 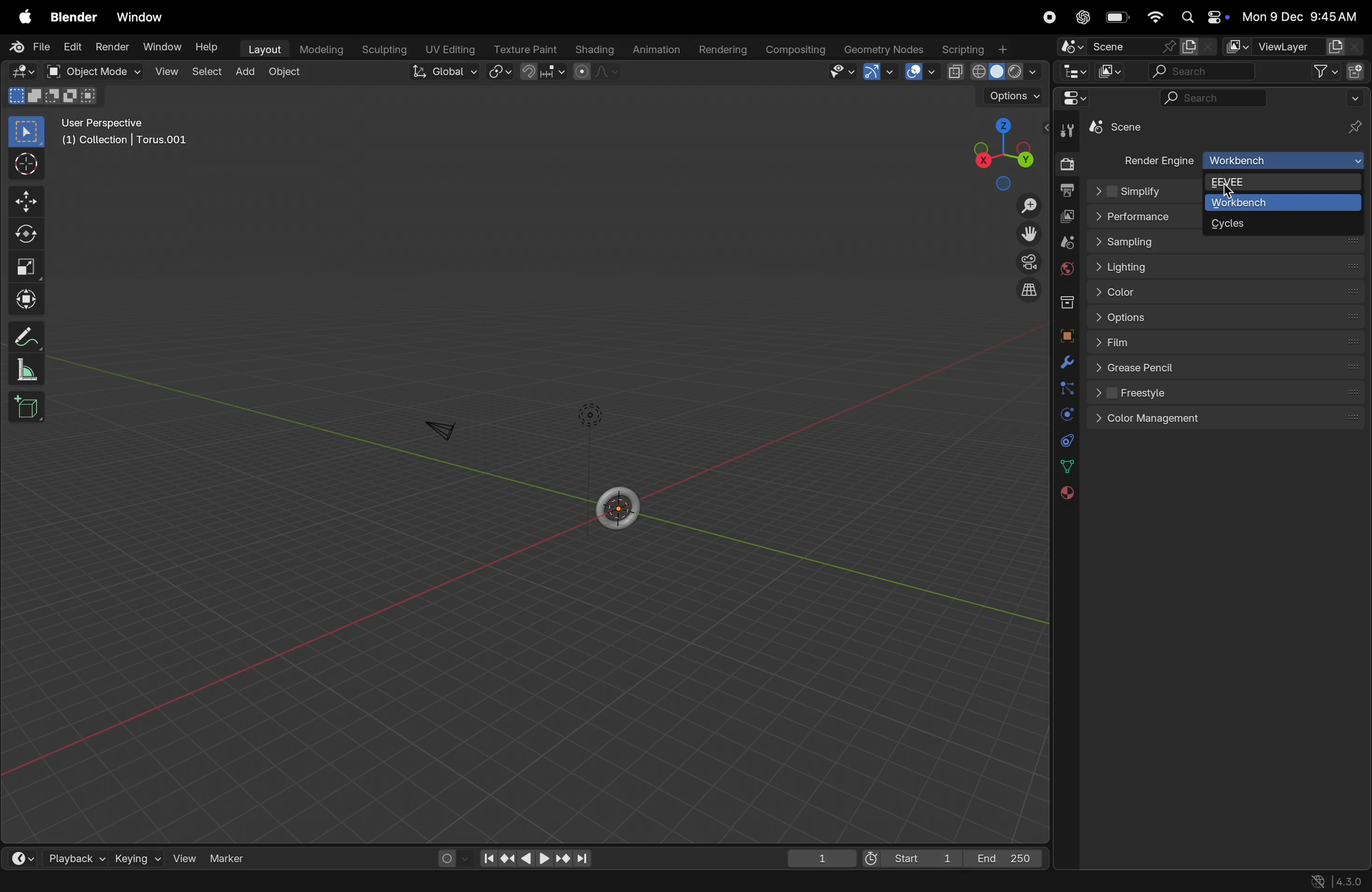 What do you see at coordinates (1225, 265) in the screenshot?
I see `Lightning` at bounding box center [1225, 265].